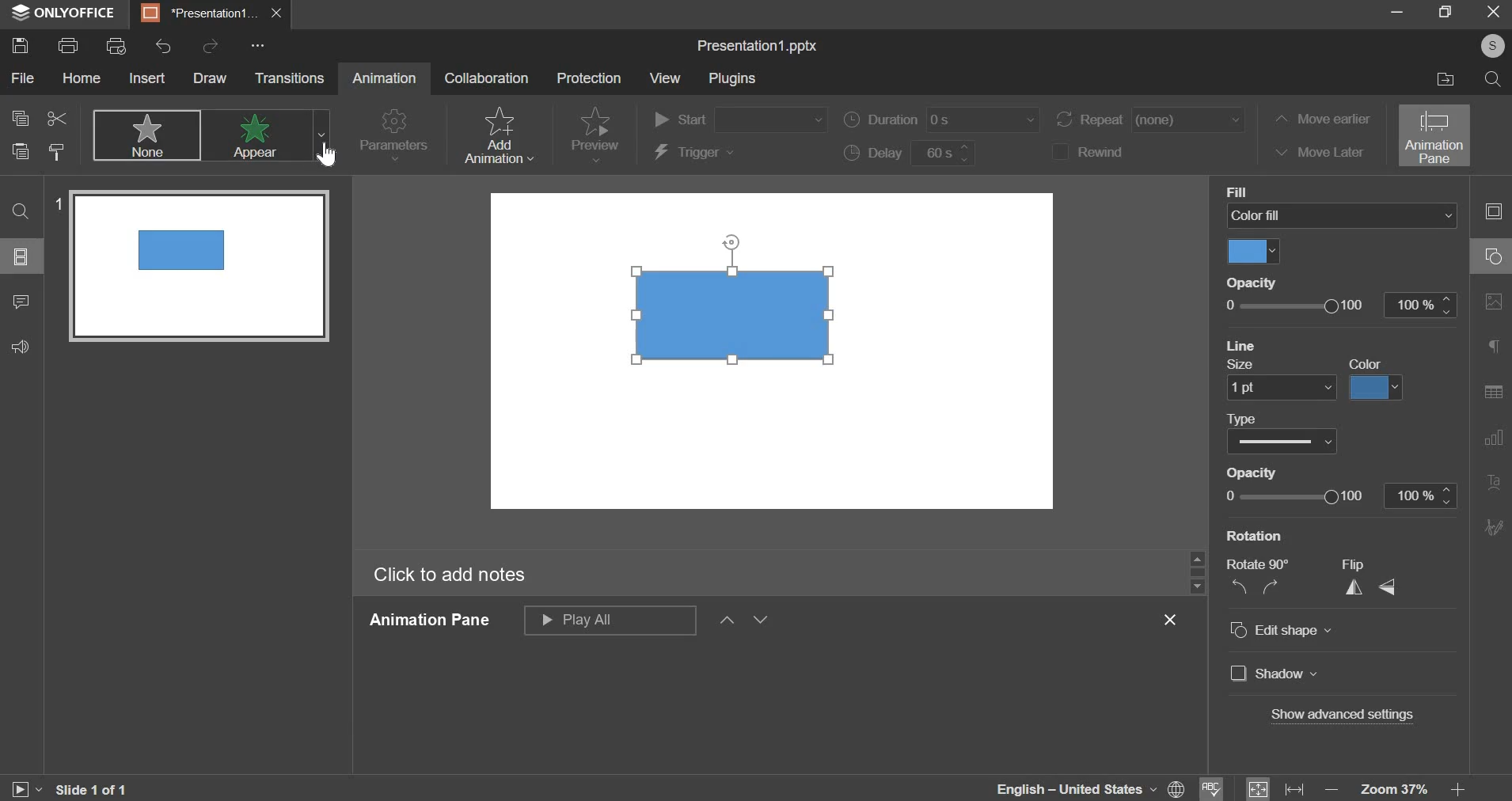  Describe the element at coordinates (22, 45) in the screenshot. I see `save` at that location.